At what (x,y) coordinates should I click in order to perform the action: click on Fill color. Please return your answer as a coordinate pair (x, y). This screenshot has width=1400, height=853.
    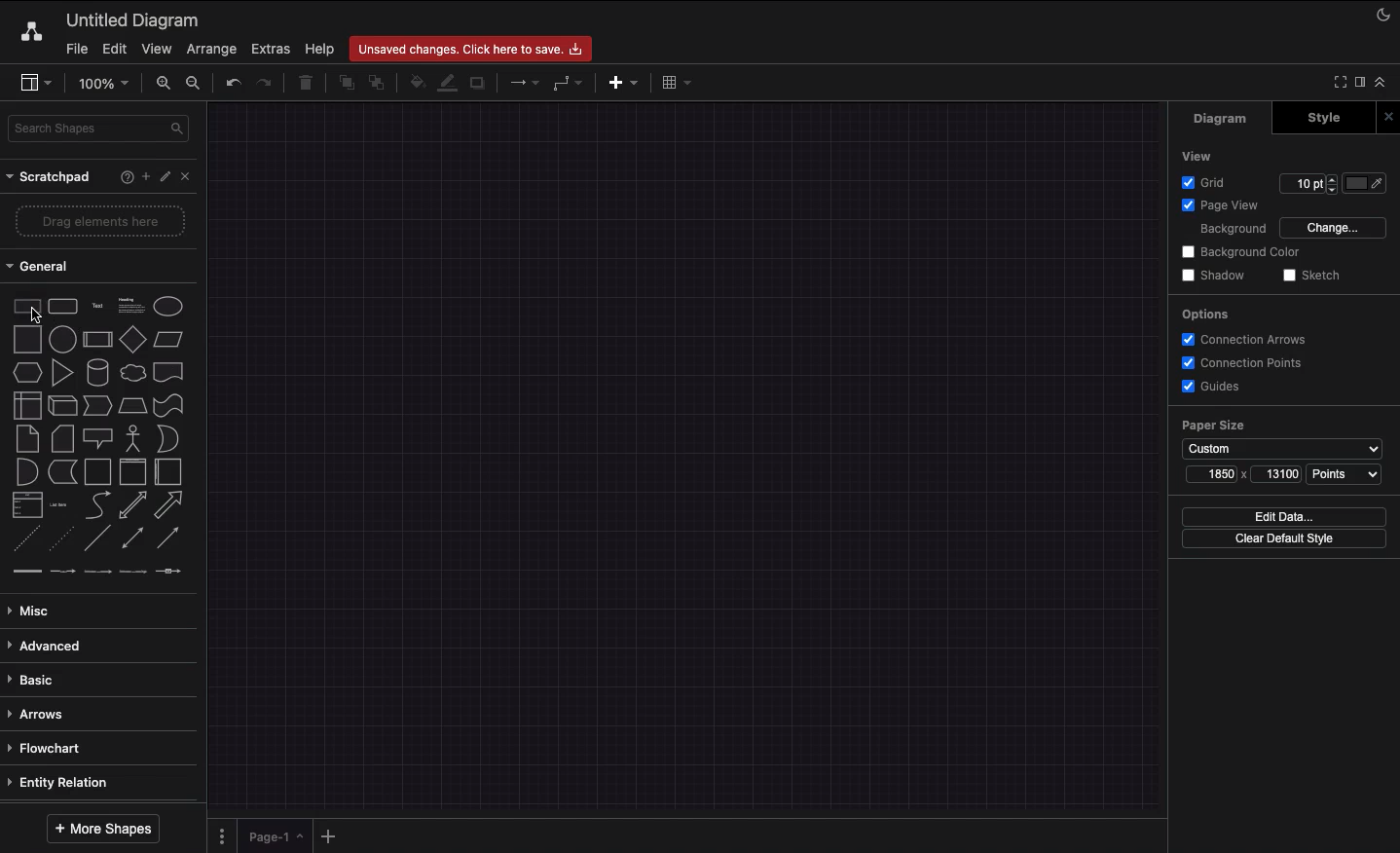
    Looking at the image, I should click on (414, 86).